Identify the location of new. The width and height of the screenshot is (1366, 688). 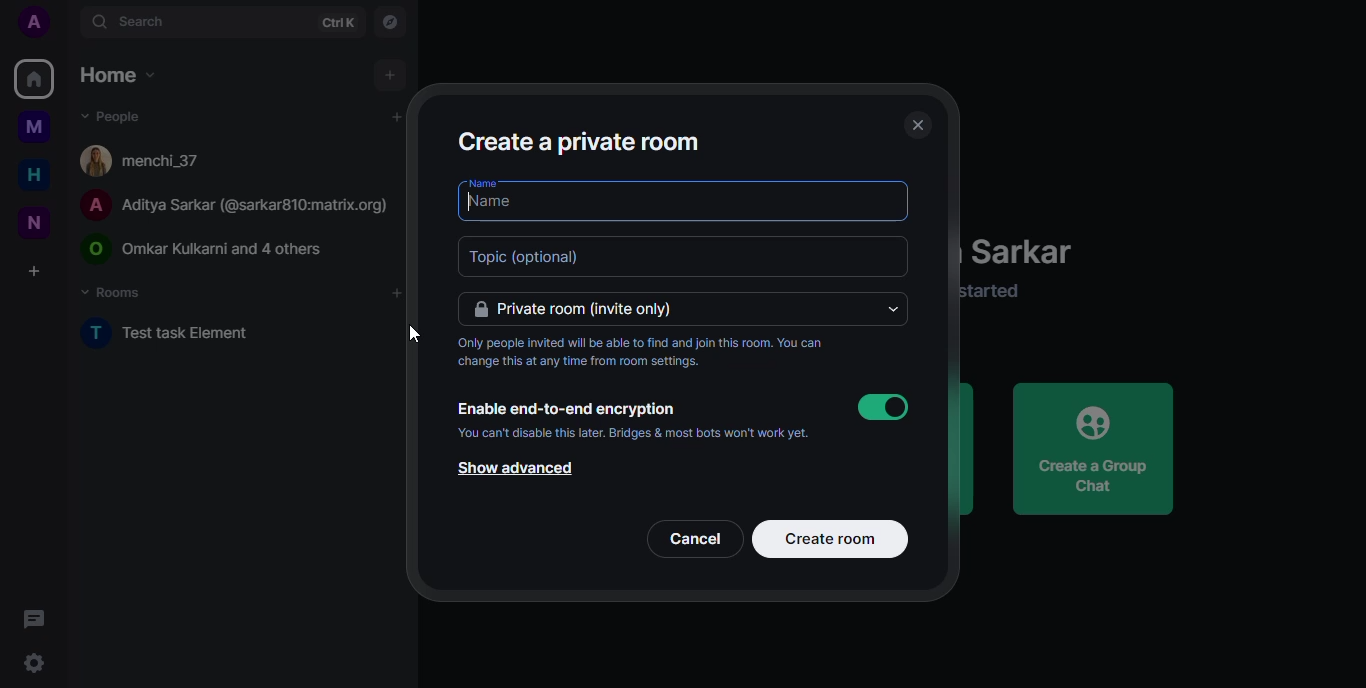
(31, 221).